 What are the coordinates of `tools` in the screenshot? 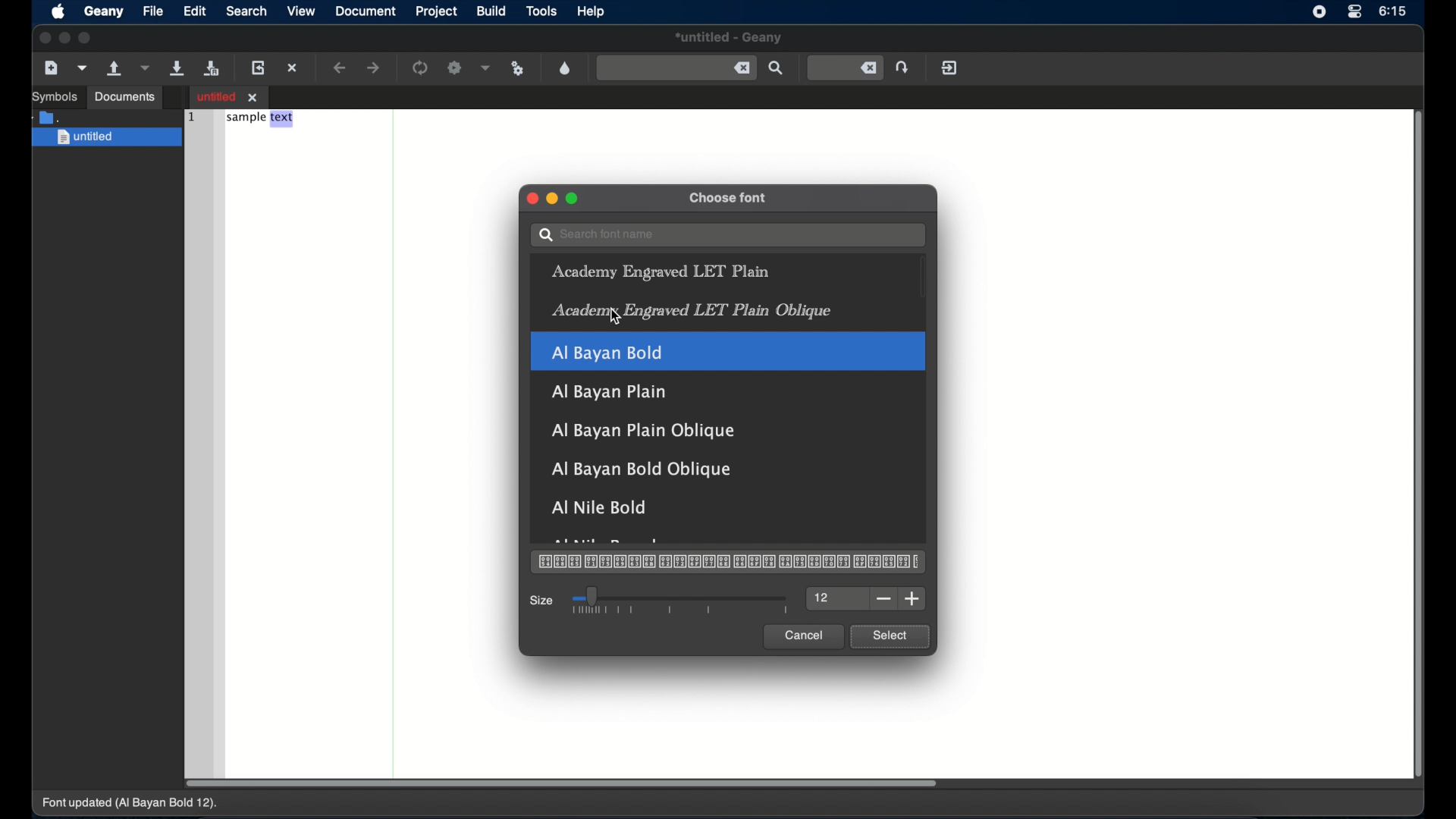 It's located at (543, 12).